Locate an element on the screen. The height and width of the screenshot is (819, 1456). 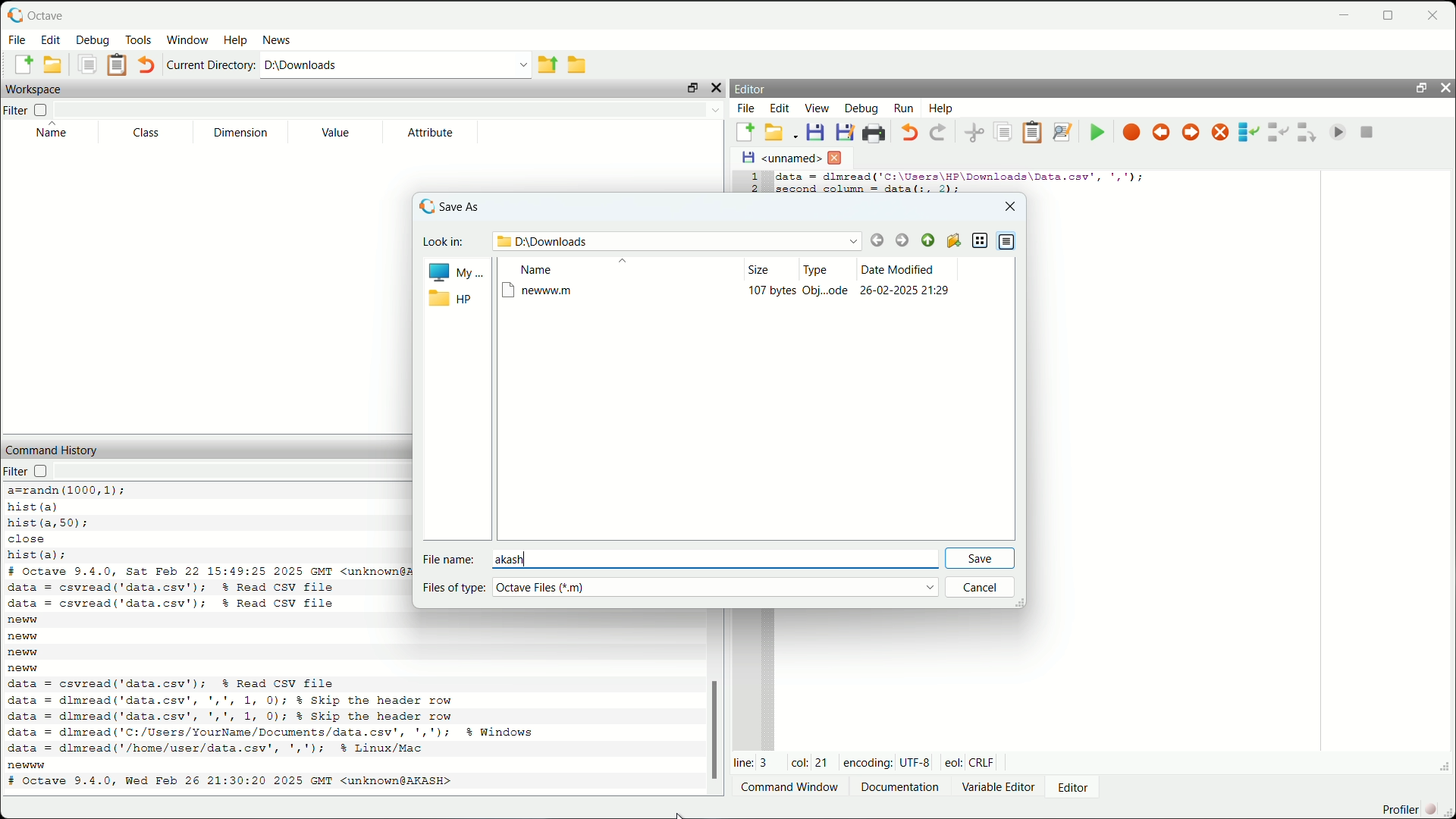
help is located at coordinates (236, 40).